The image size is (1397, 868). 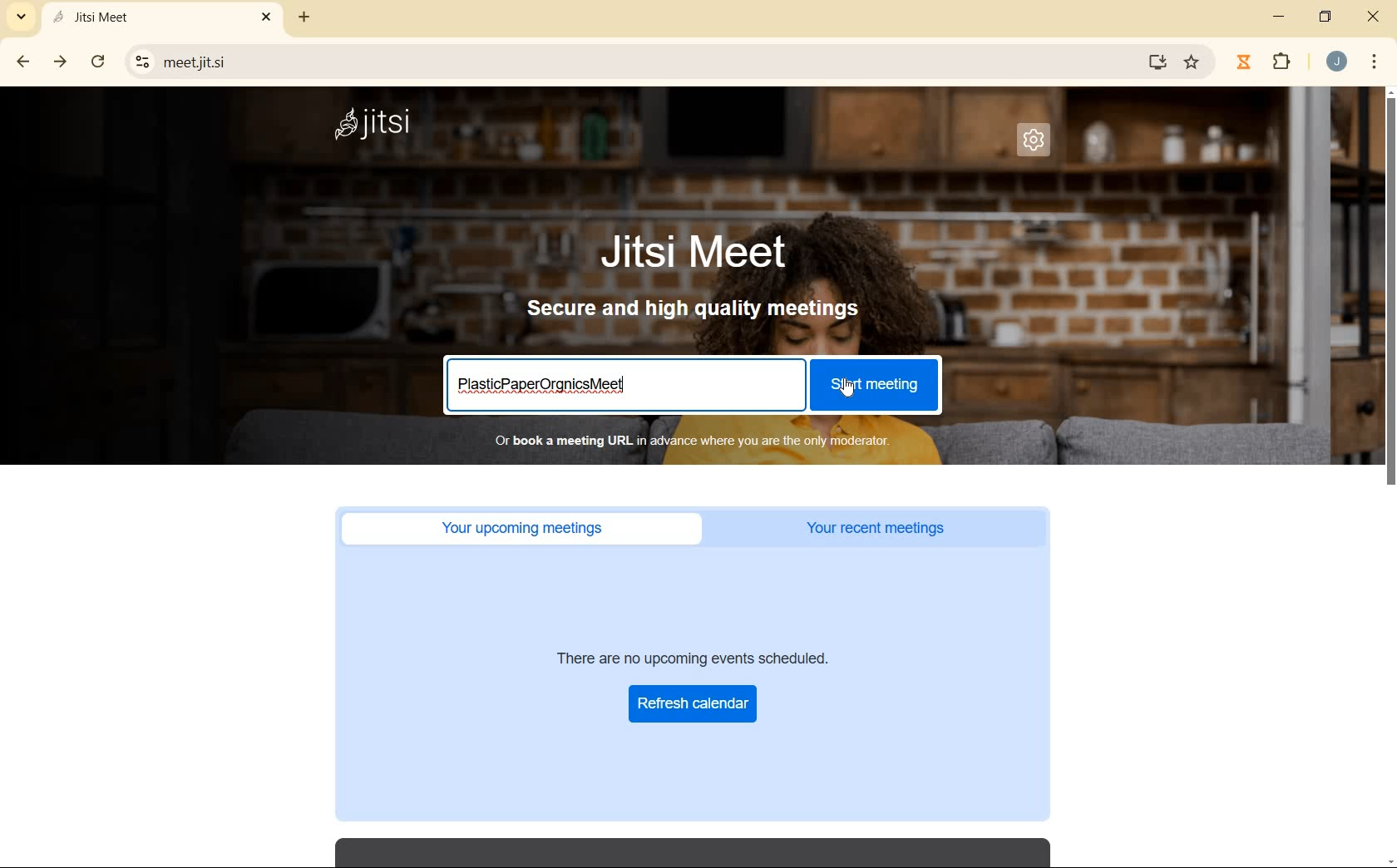 I want to click on current open tan, so click(x=165, y=17).